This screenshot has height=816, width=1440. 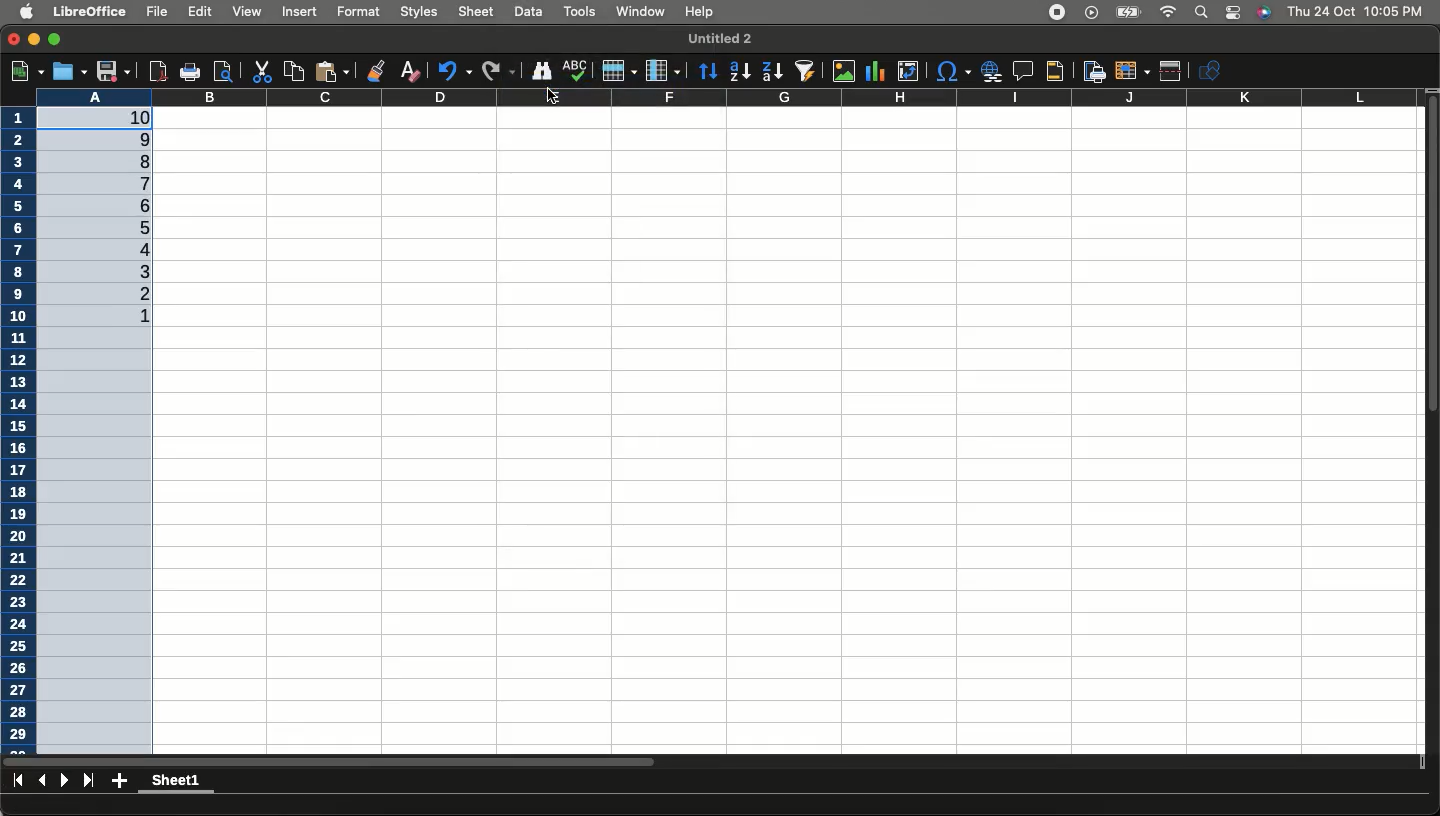 I want to click on Paste, so click(x=336, y=70).